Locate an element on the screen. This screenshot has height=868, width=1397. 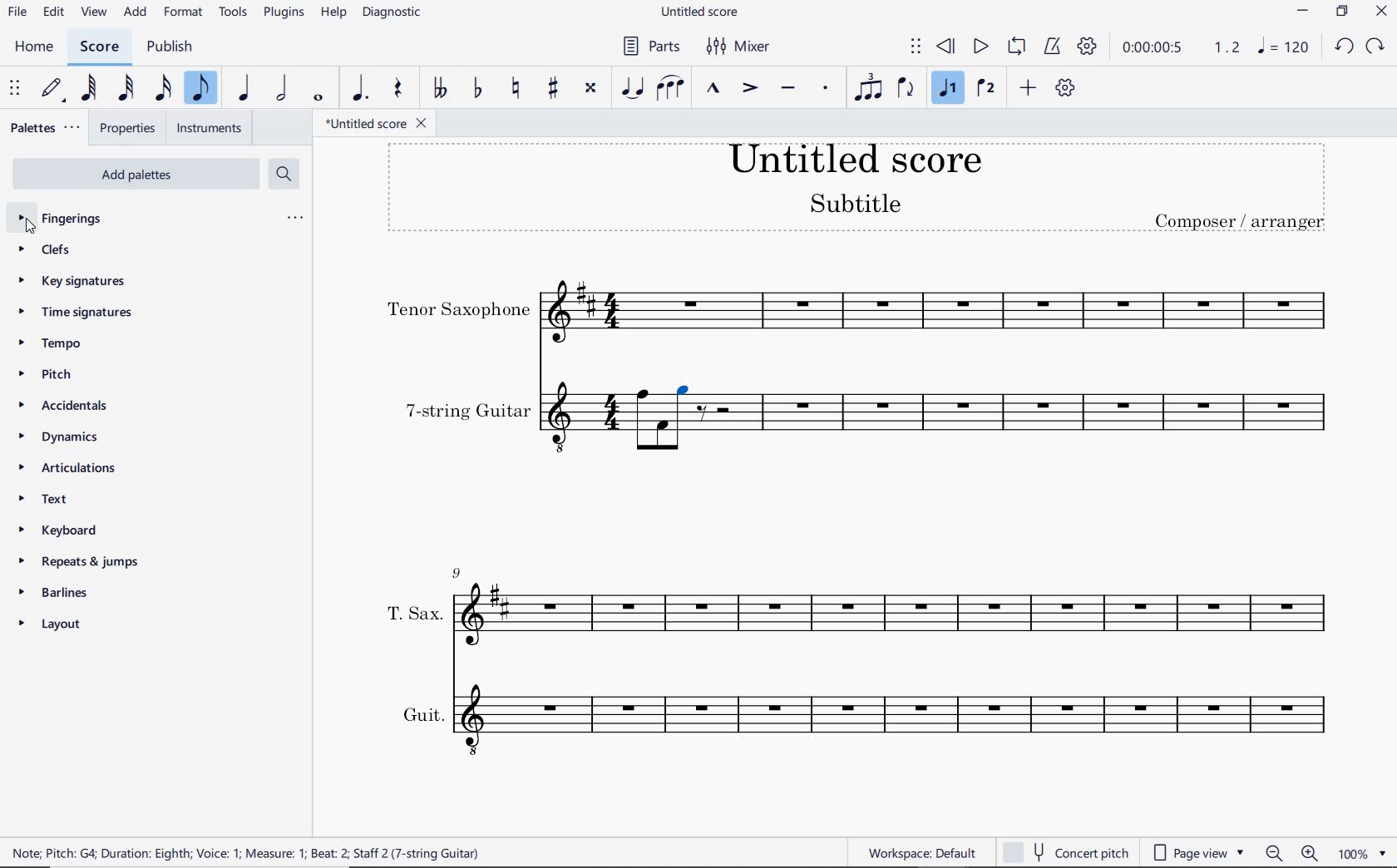
DIAGNOSTIC is located at coordinates (393, 14).